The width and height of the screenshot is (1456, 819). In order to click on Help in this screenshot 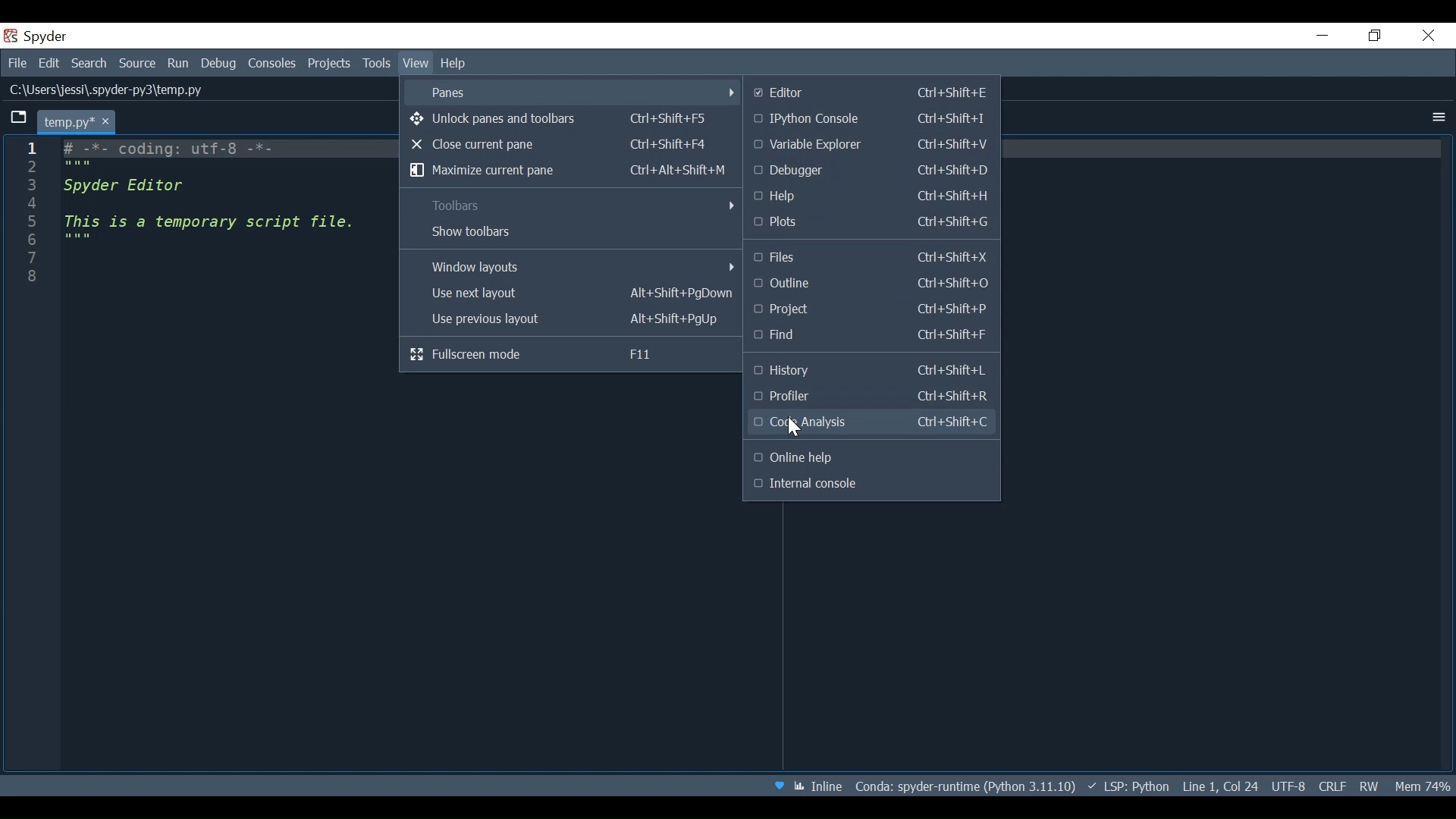, I will do `click(872, 196)`.